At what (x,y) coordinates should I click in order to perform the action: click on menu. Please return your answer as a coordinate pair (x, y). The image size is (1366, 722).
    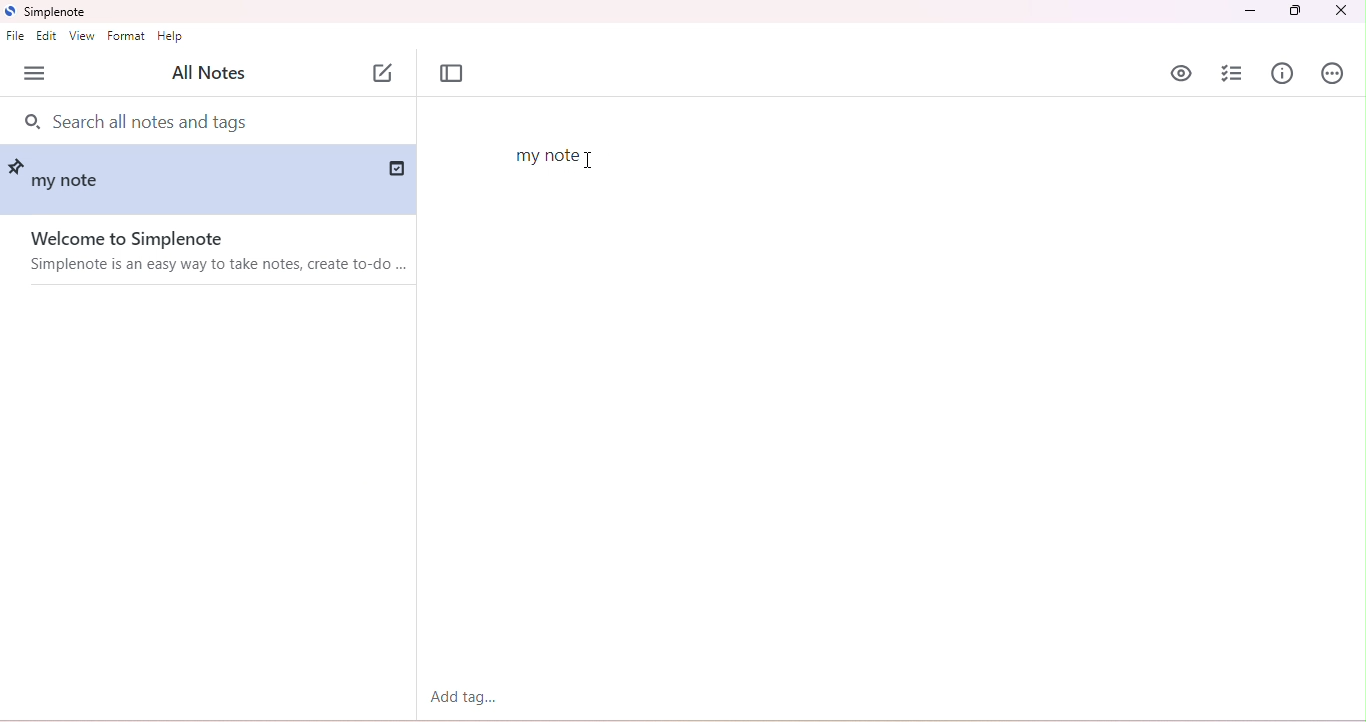
    Looking at the image, I should click on (36, 73).